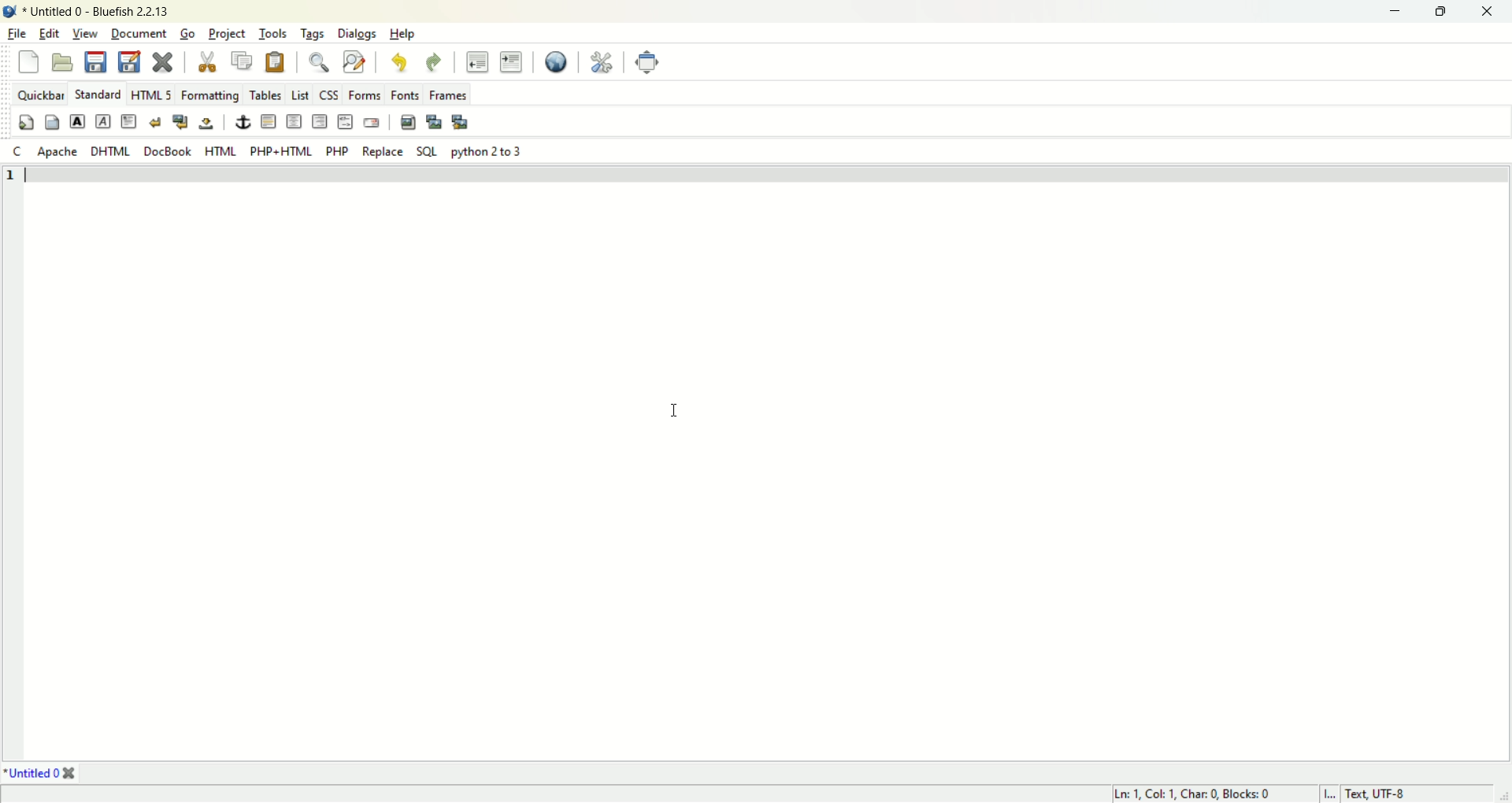 This screenshot has height=803, width=1512. I want to click on DocBook, so click(168, 153).